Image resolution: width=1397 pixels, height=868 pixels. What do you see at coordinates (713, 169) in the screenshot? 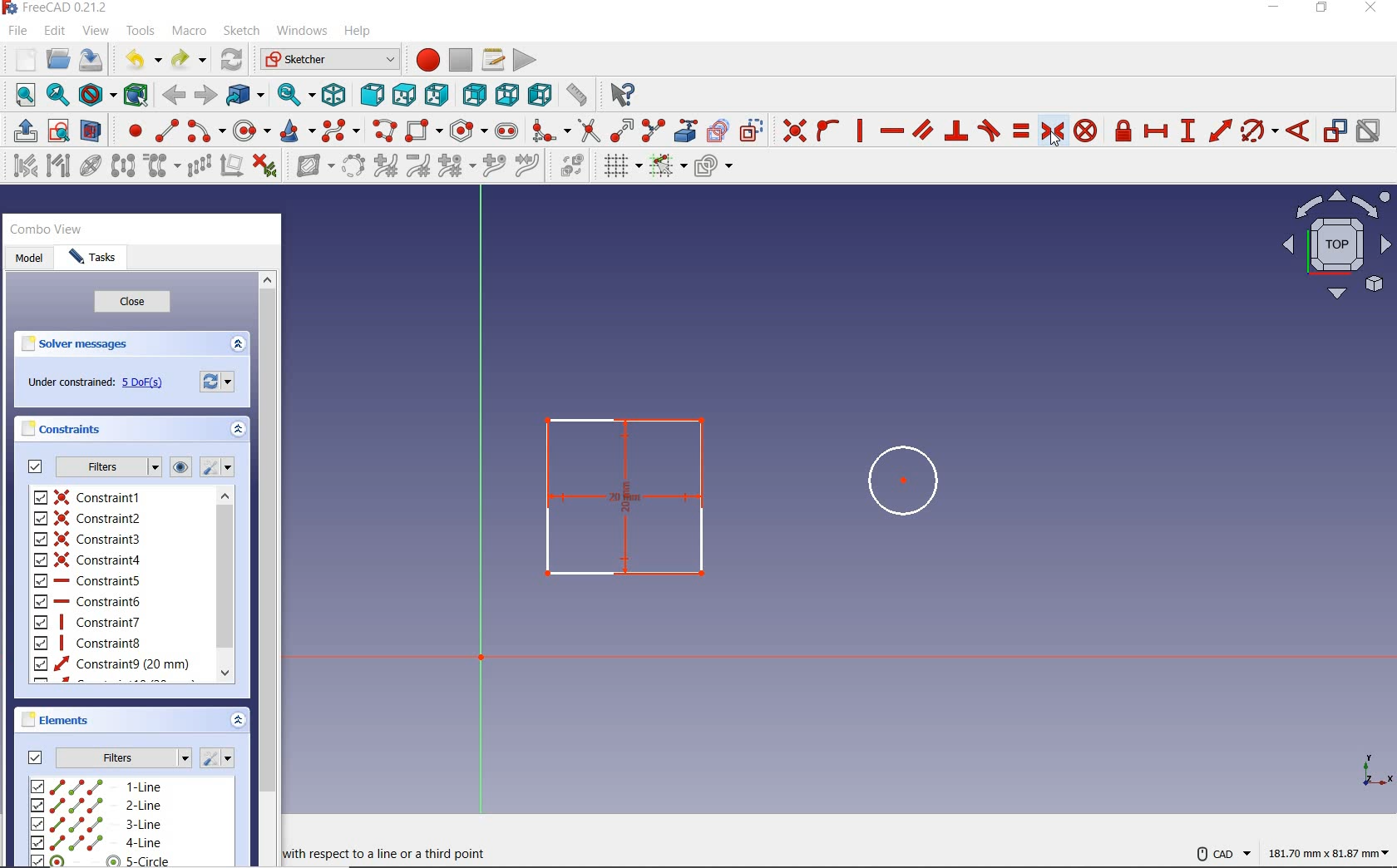
I see `configure rendering order` at bounding box center [713, 169].